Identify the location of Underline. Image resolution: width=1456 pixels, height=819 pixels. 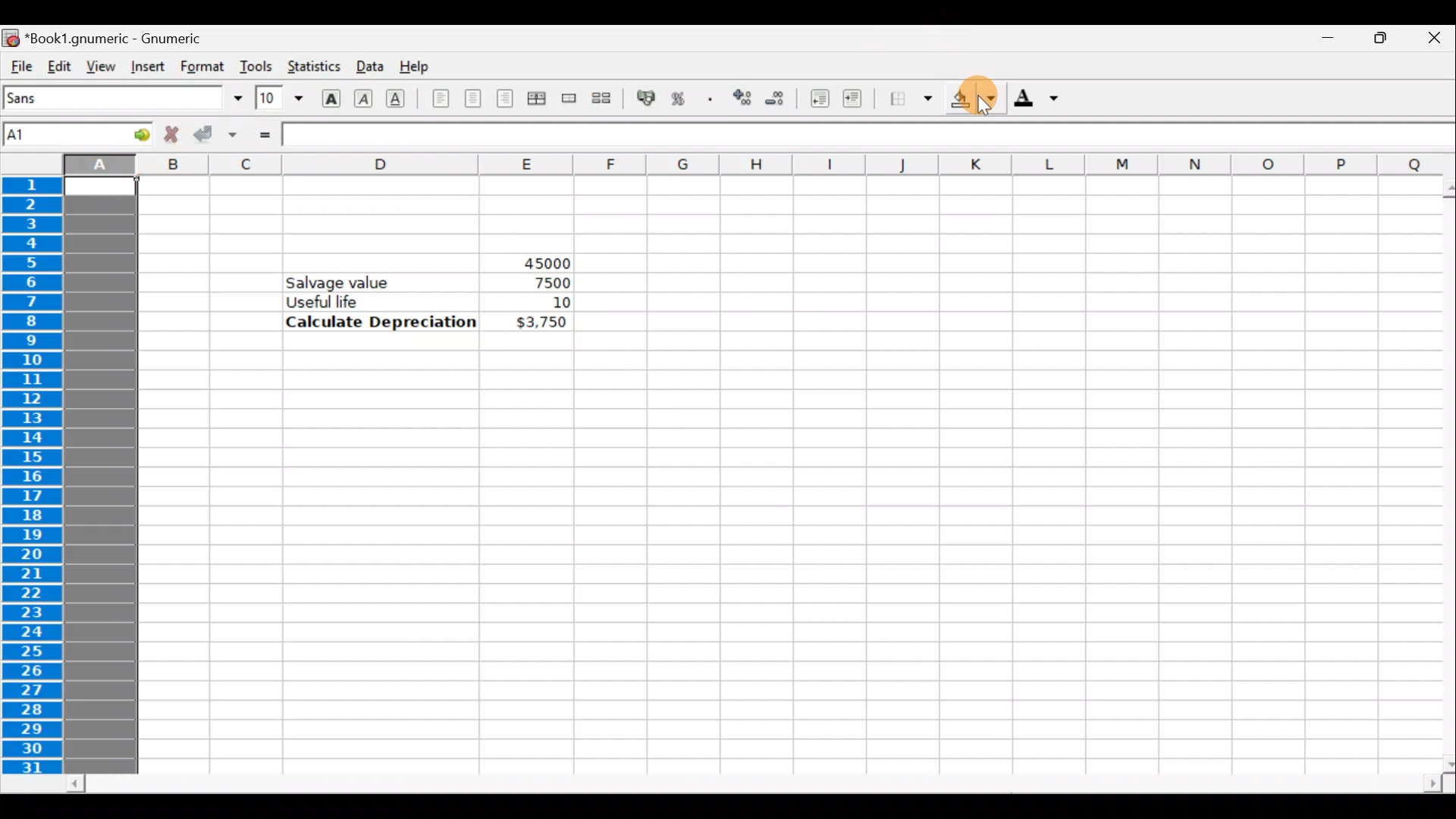
(402, 99).